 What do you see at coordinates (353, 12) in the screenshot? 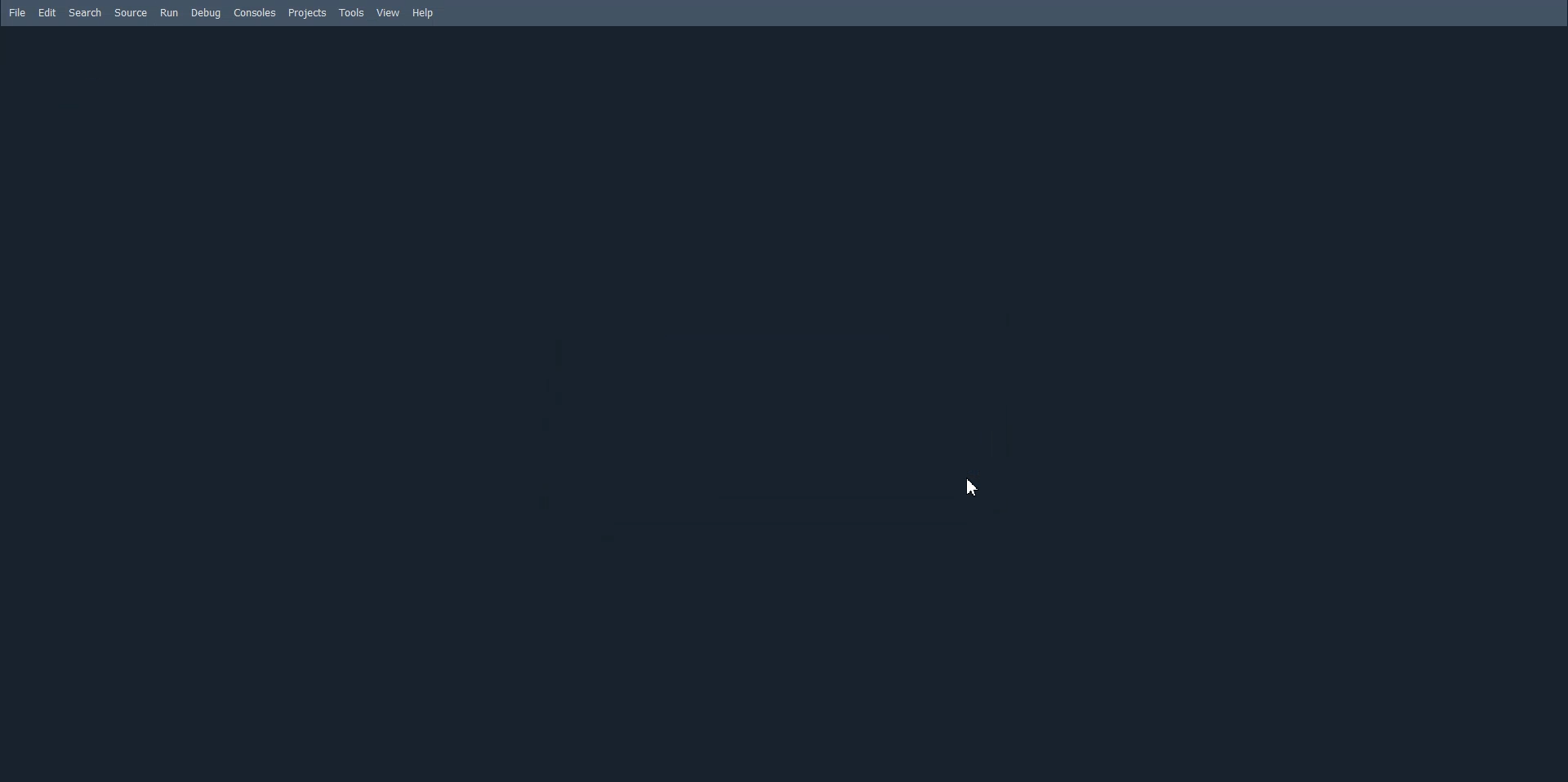
I see `Tools` at bounding box center [353, 12].